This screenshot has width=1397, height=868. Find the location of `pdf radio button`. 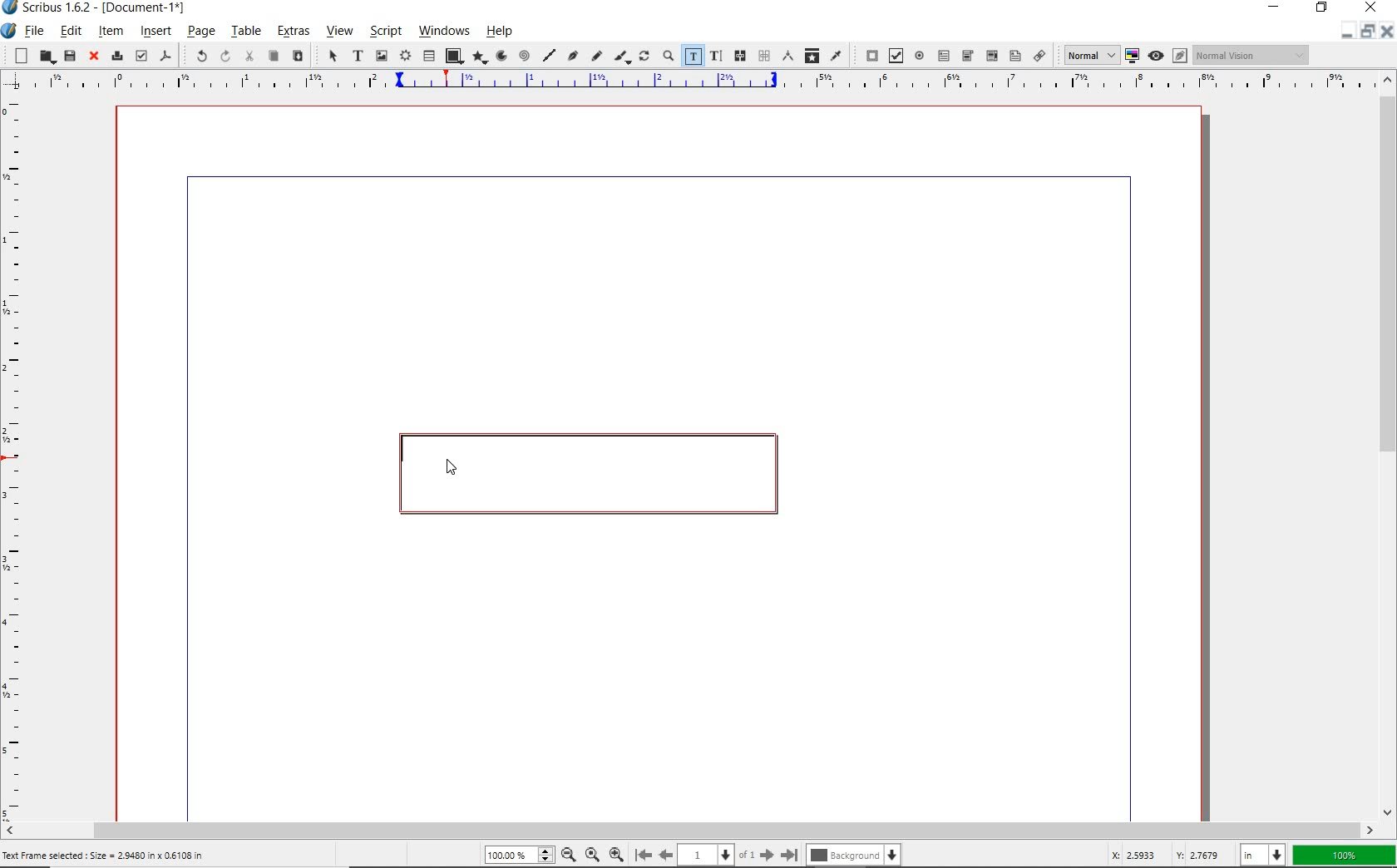

pdf radio button is located at coordinates (920, 57).